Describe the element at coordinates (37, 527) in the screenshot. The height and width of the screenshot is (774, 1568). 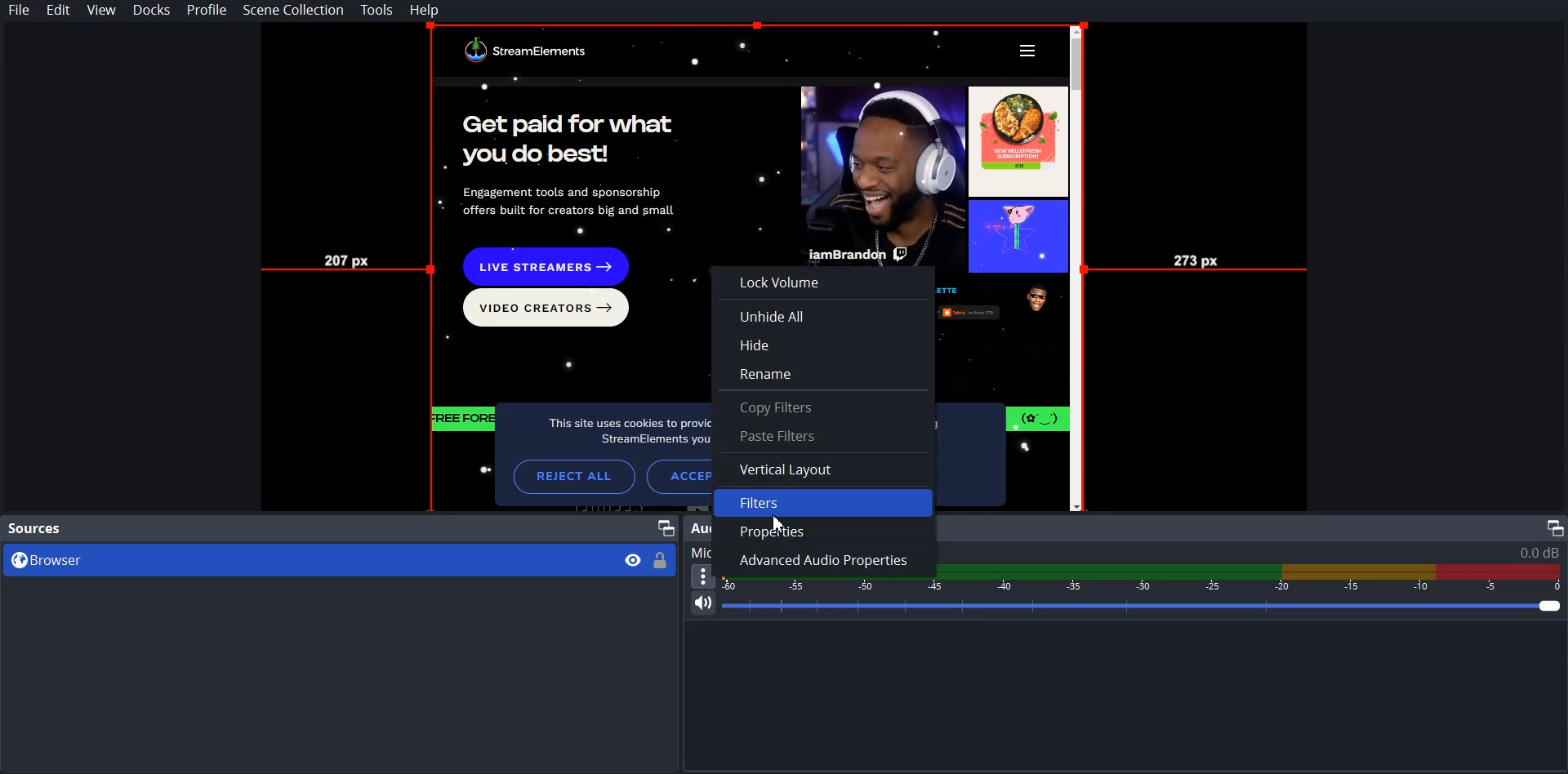
I see `Source ` at that location.